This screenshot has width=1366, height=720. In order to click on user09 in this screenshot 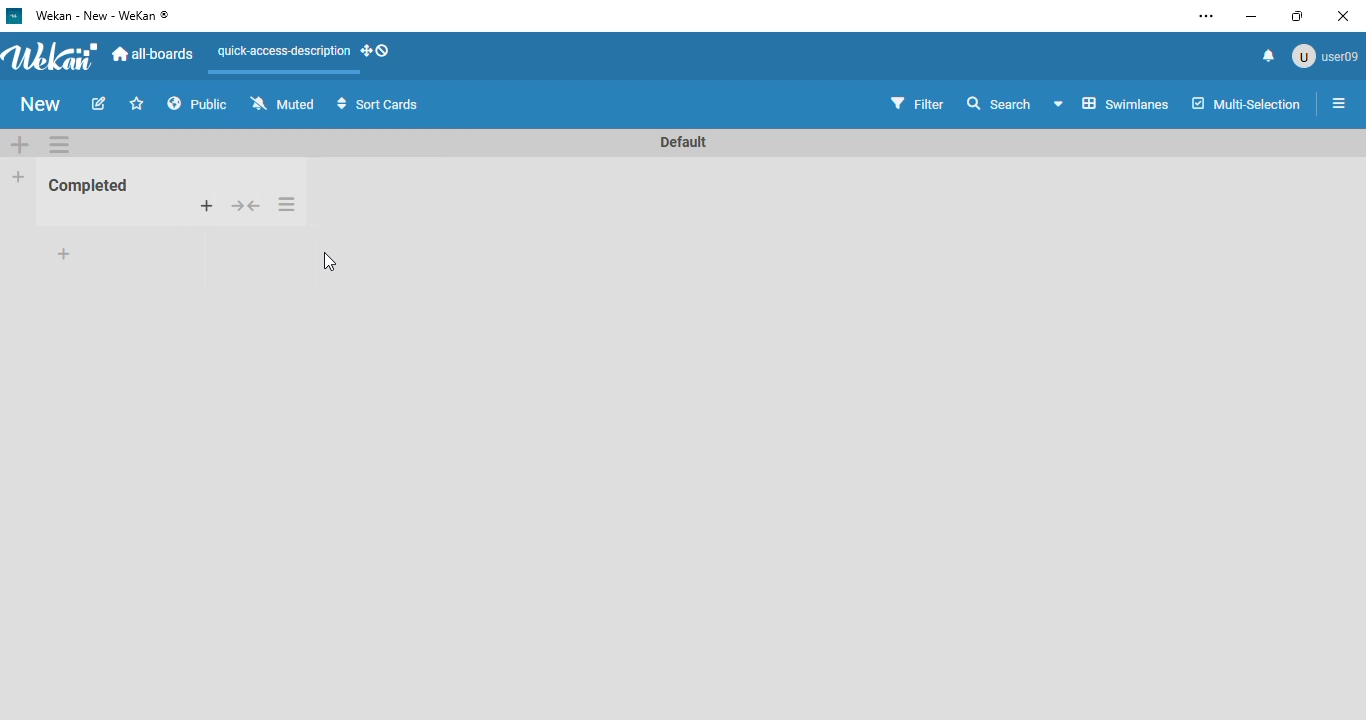, I will do `click(1324, 57)`.